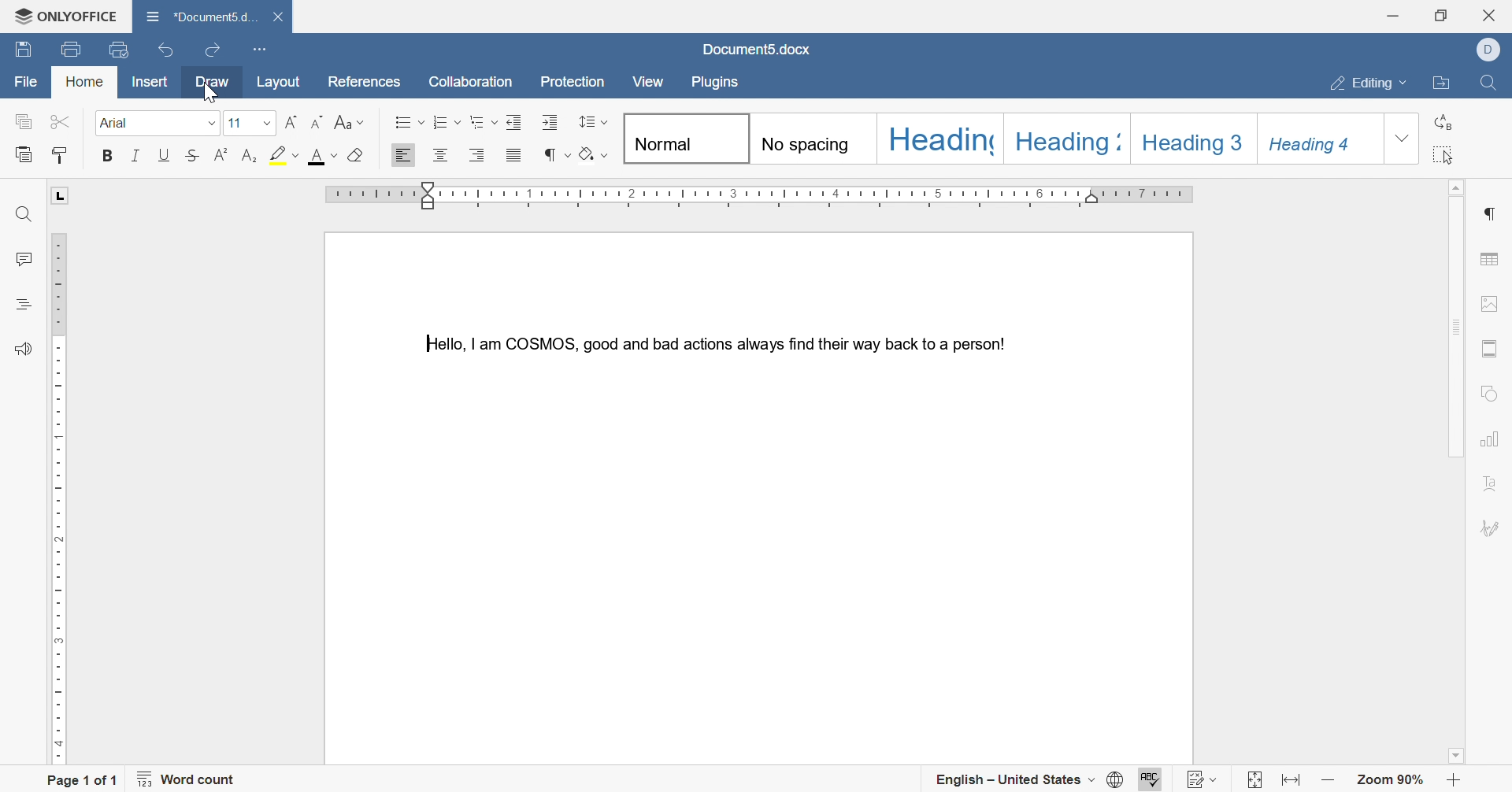 This screenshot has width=1512, height=792. Describe the element at coordinates (1329, 781) in the screenshot. I see `zoom out` at that location.